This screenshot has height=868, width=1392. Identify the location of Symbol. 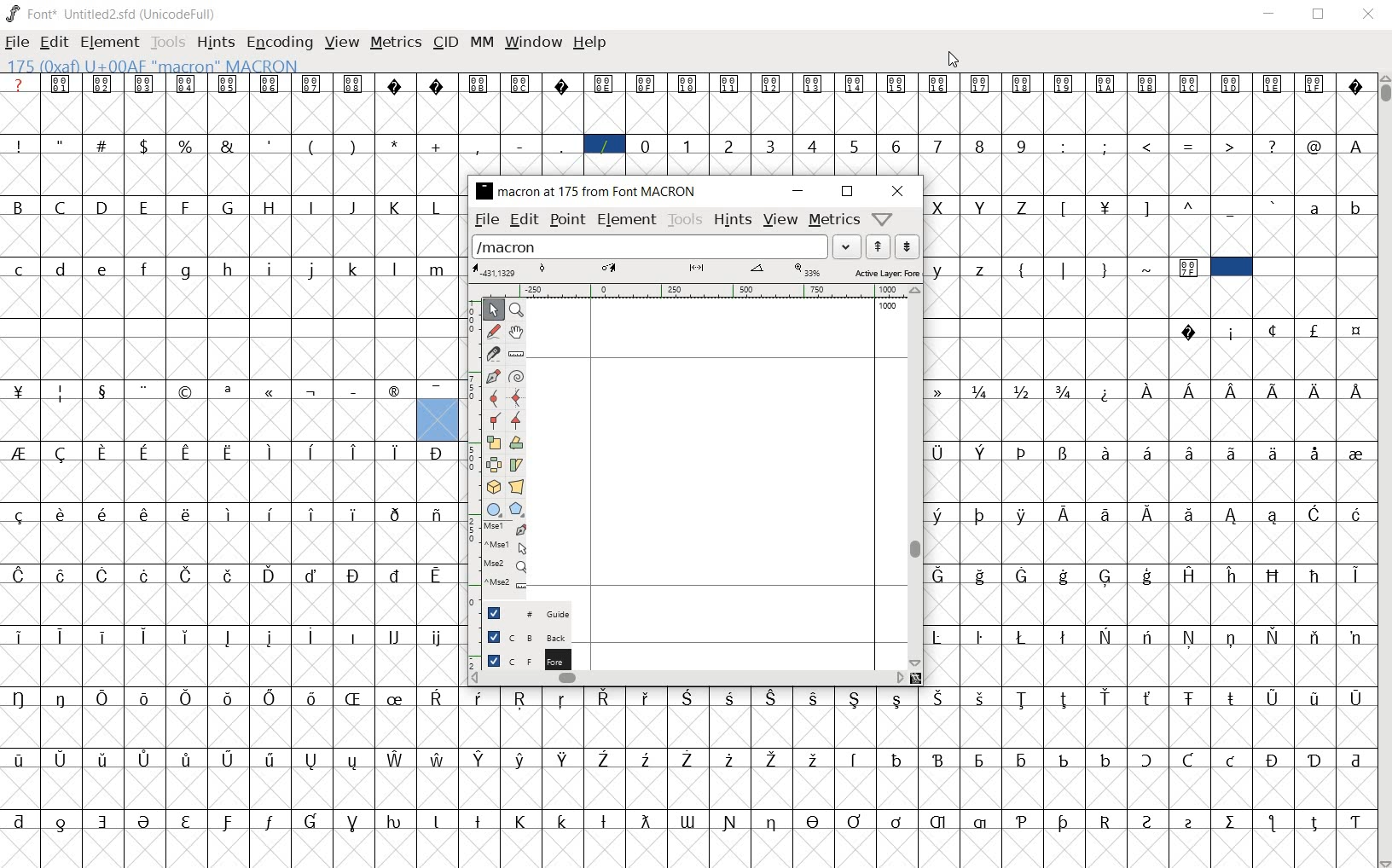
(1356, 453).